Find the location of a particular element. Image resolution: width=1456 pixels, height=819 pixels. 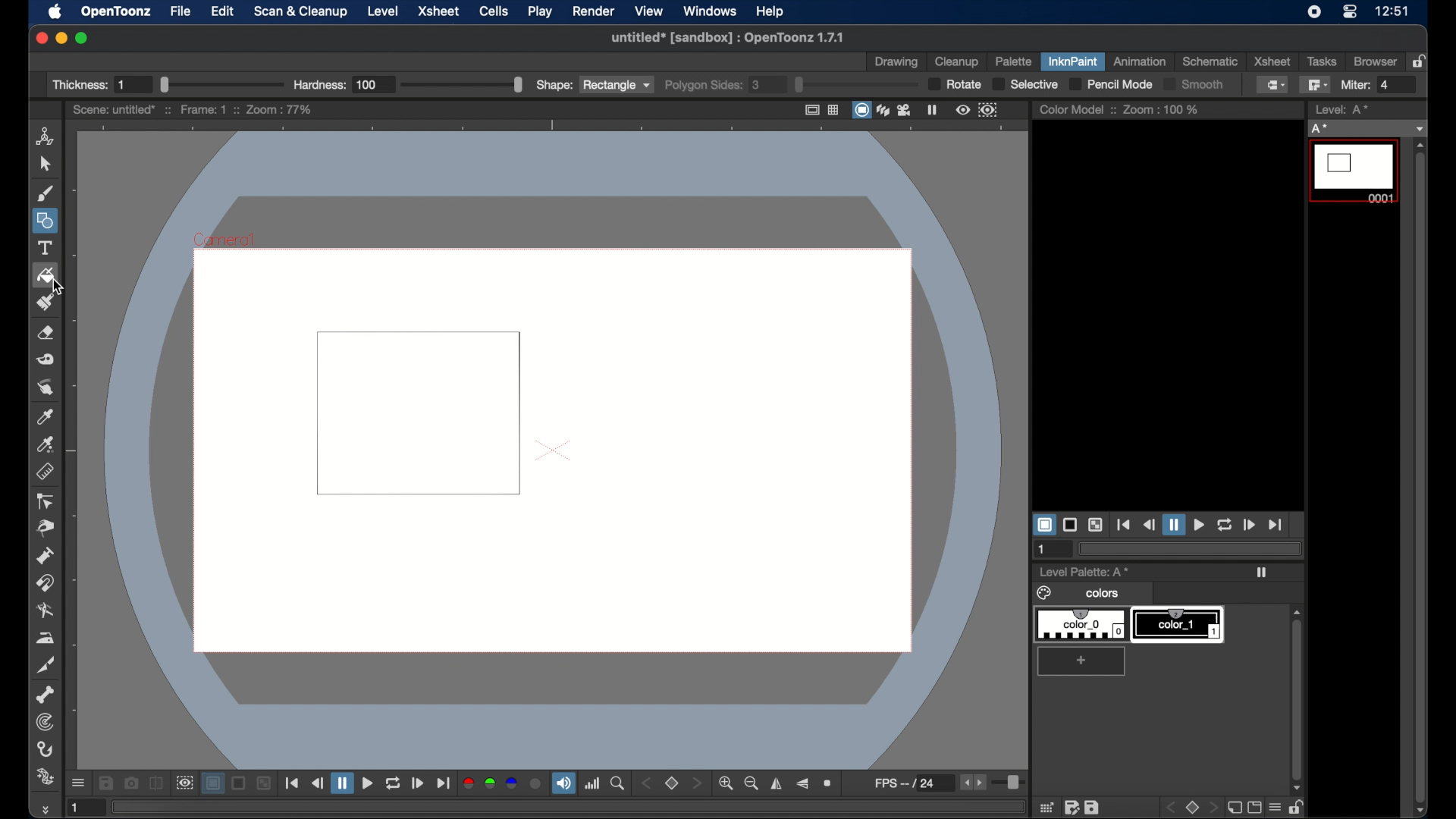

pause button is located at coordinates (1173, 524).